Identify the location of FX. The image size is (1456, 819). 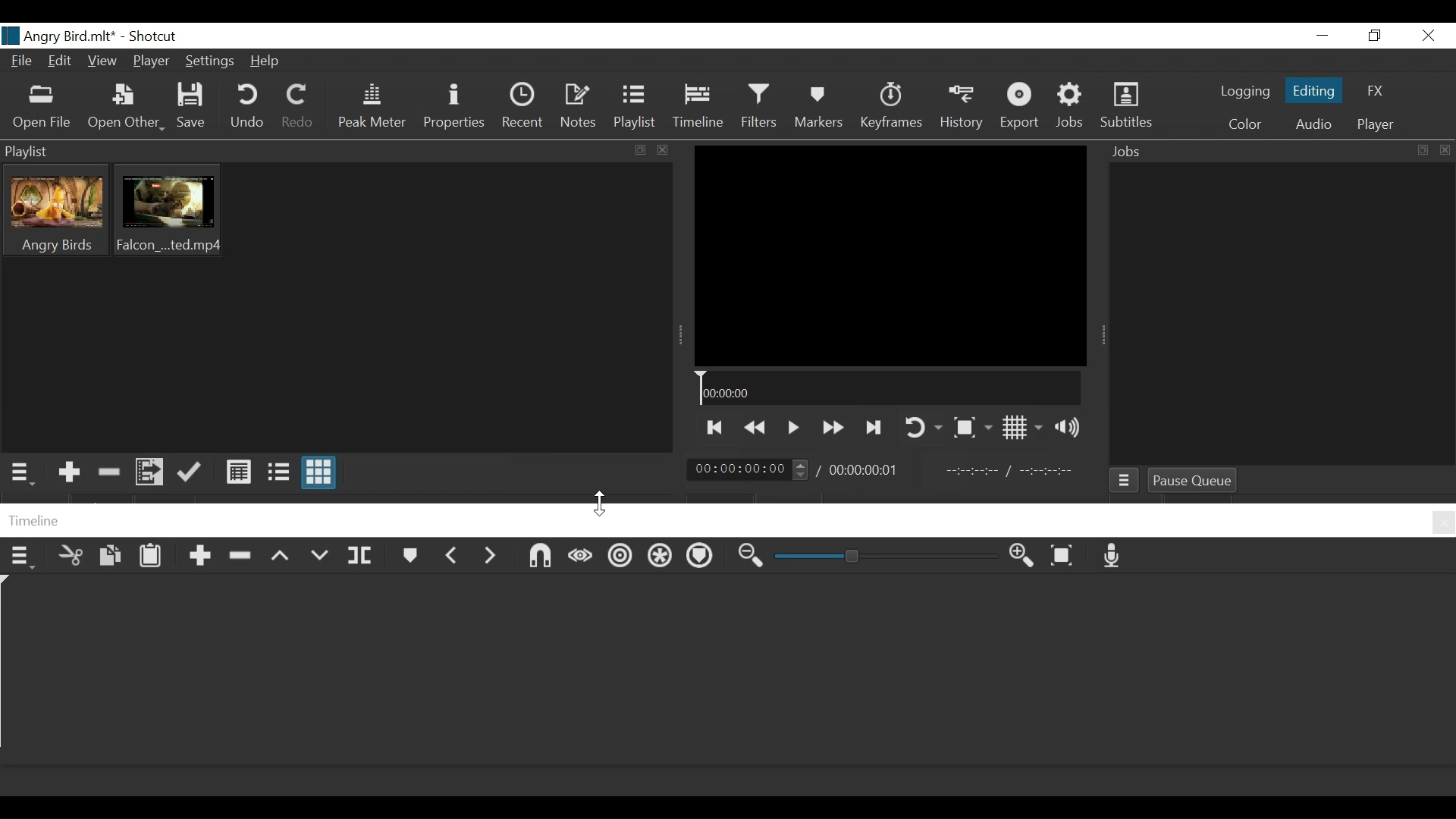
(1373, 91).